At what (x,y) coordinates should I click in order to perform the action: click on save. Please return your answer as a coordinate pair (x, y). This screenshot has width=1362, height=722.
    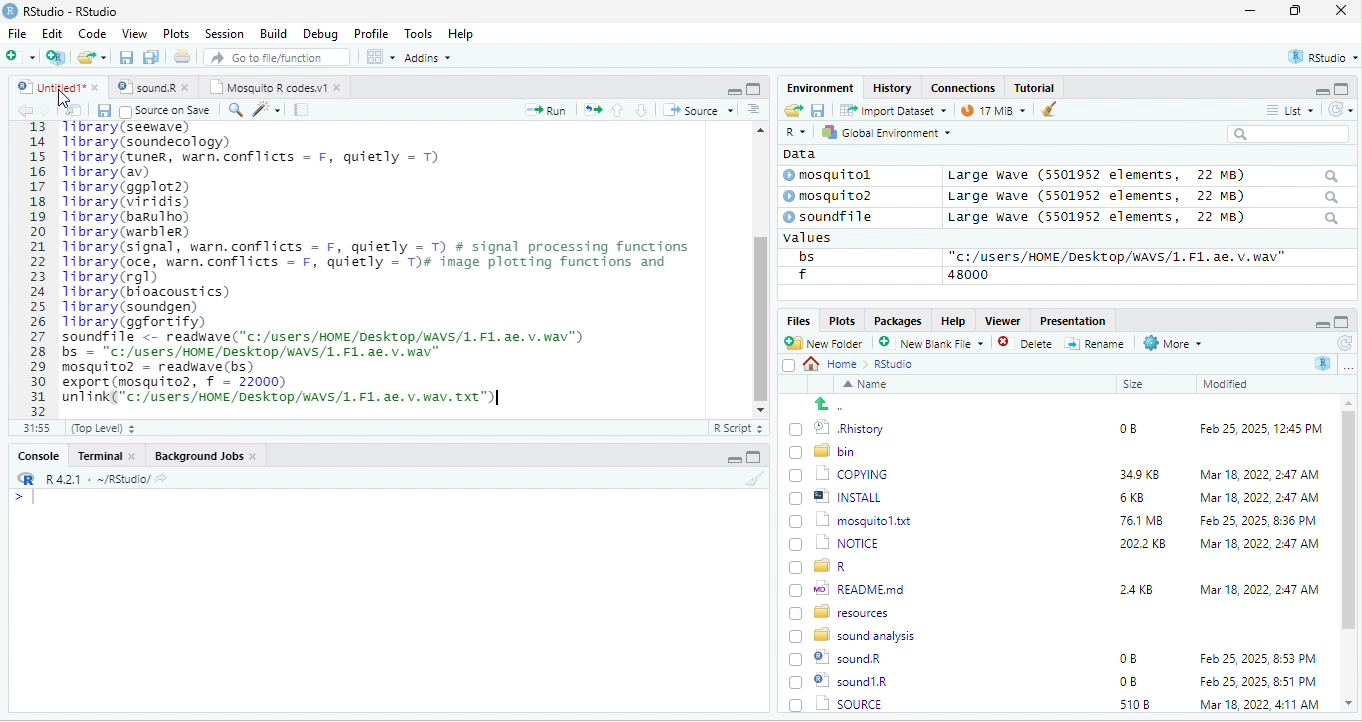
    Looking at the image, I should click on (103, 110).